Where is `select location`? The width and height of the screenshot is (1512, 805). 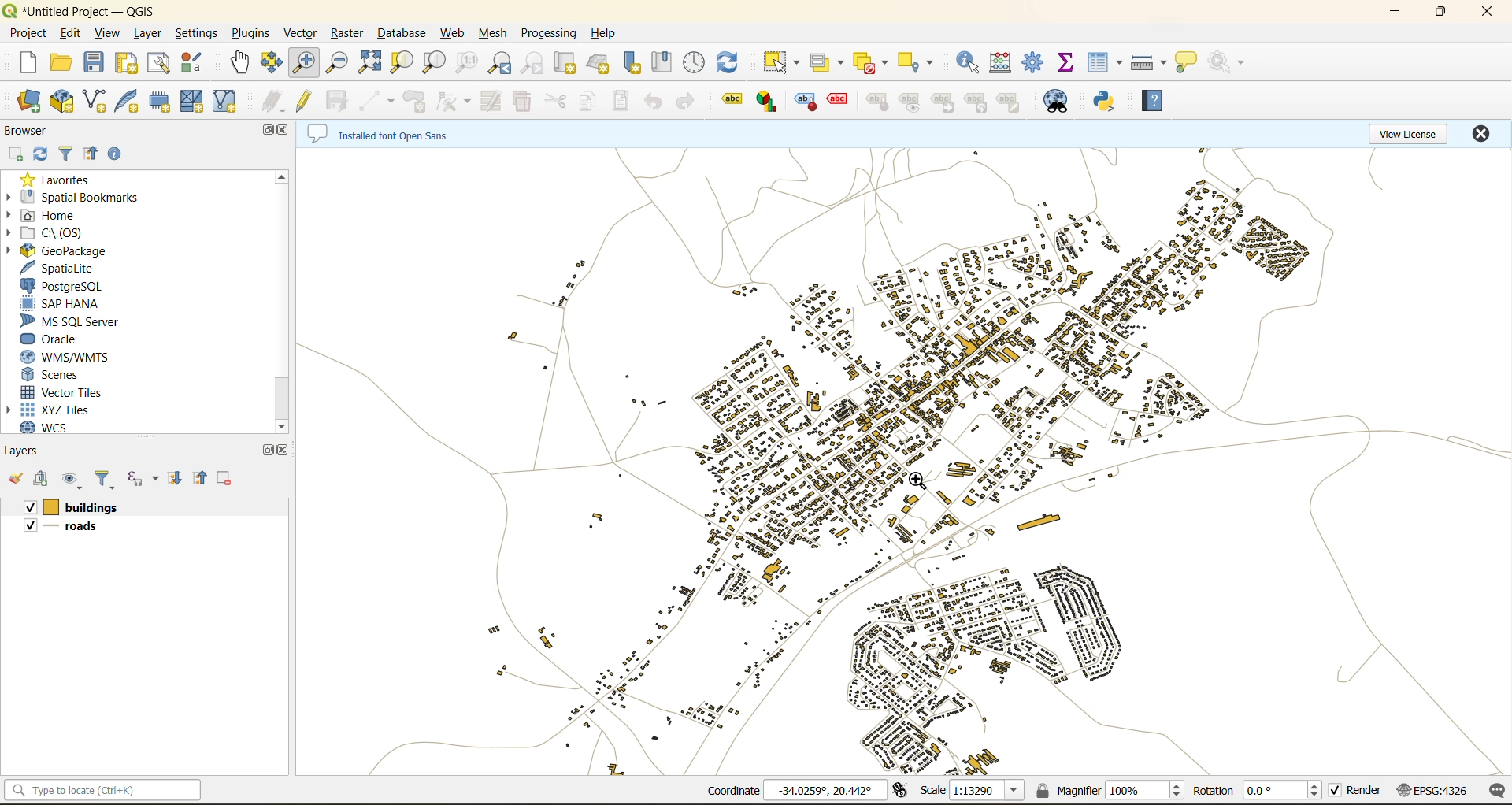 select location is located at coordinates (919, 62).